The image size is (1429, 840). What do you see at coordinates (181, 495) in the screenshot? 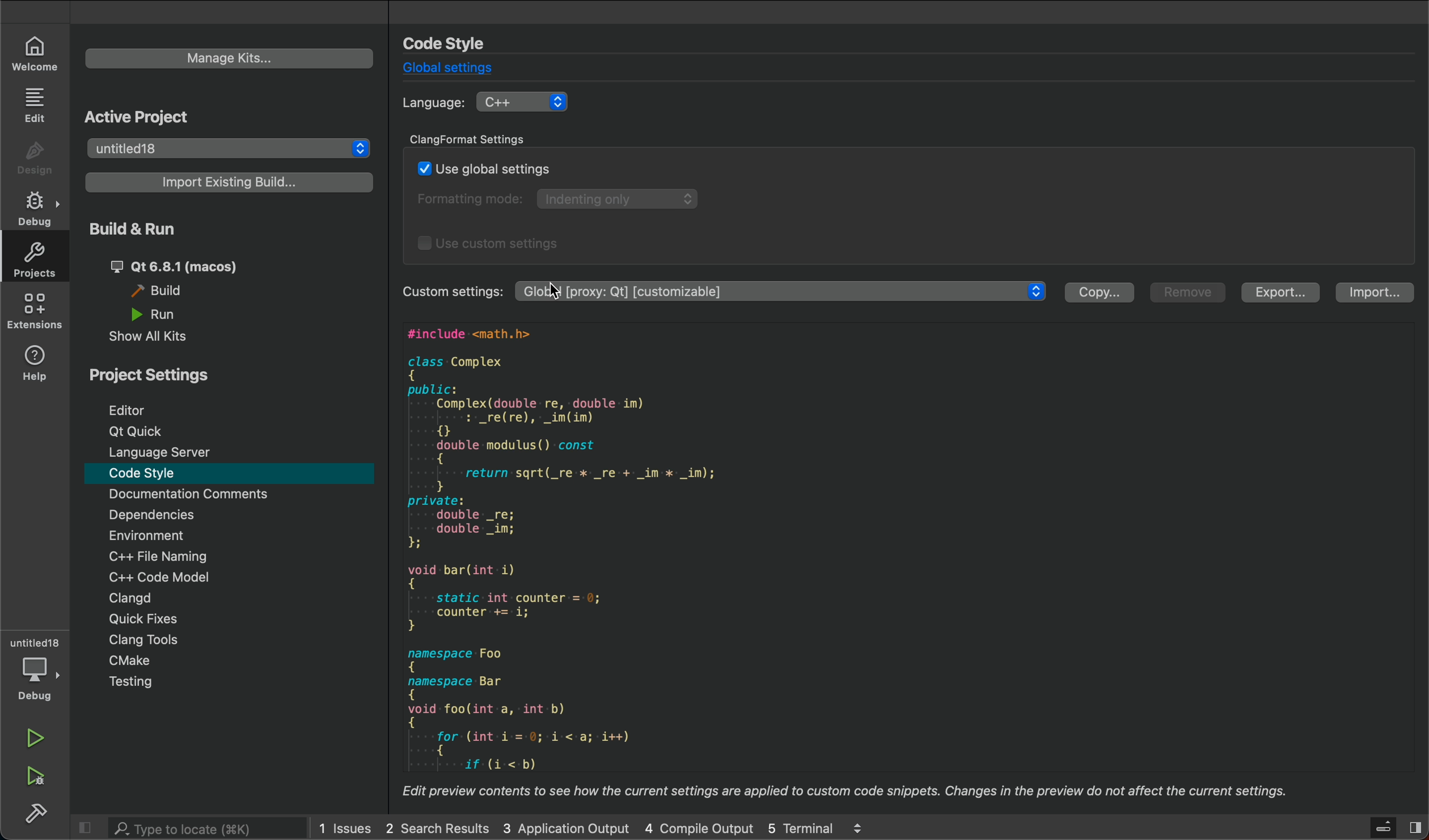
I see `Documentation ` at bounding box center [181, 495].